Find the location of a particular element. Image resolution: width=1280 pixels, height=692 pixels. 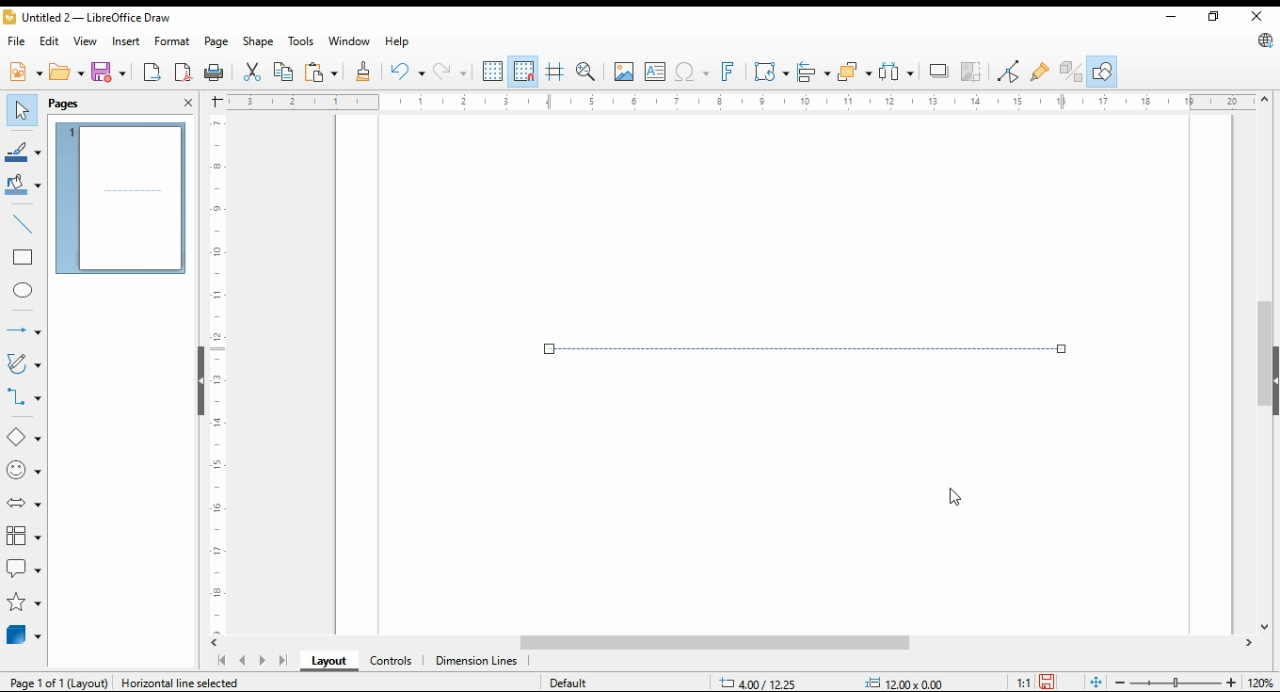

save is located at coordinates (107, 71).